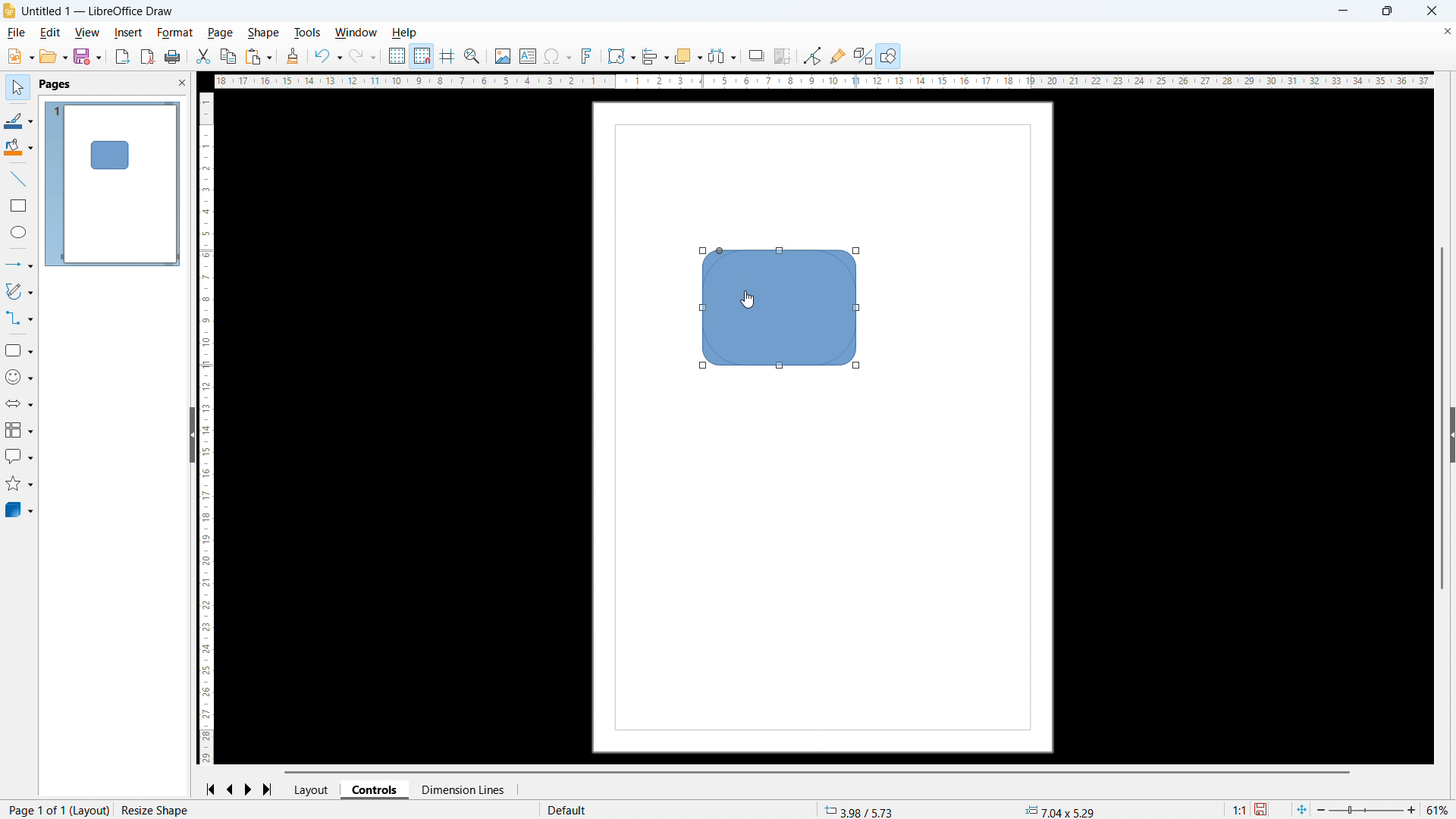  What do you see at coordinates (271, 789) in the screenshot?
I see `last page` at bounding box center [271, 789].